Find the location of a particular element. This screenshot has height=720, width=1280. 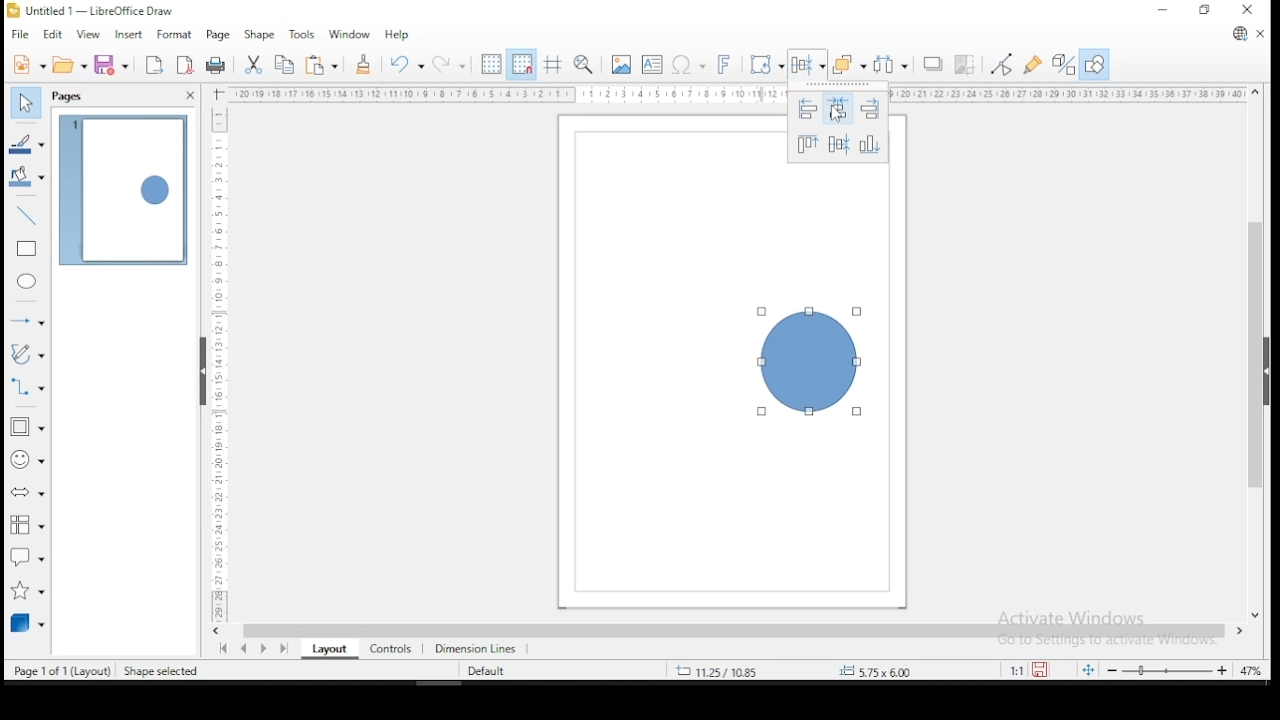

mouse pointer is located at coordinates (835, 114).